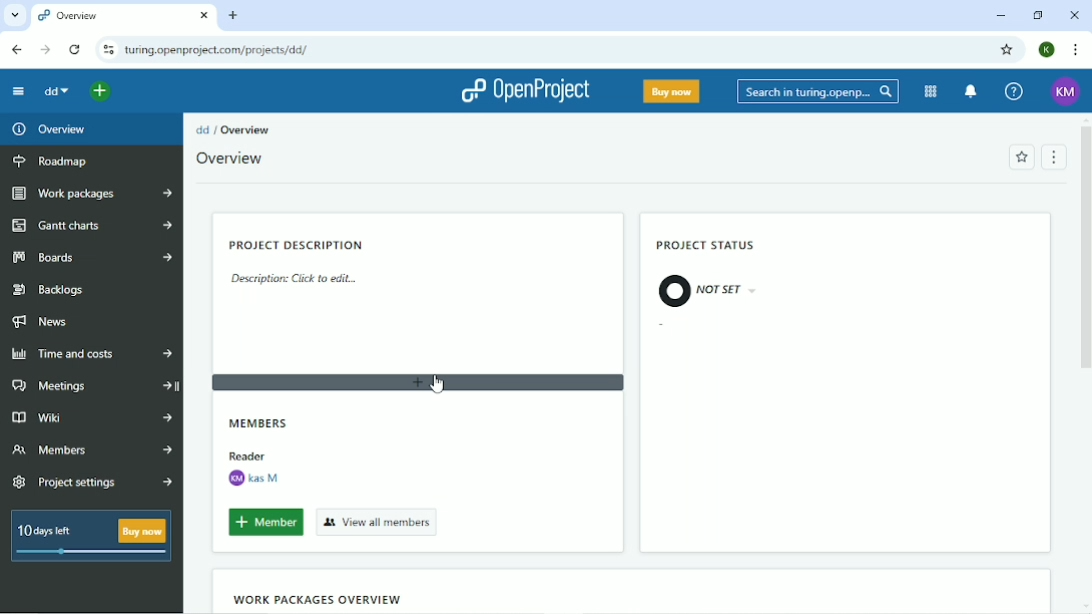 This screenshot has width=1092, height=614. I want to click on Work packages, so click(89, 194).